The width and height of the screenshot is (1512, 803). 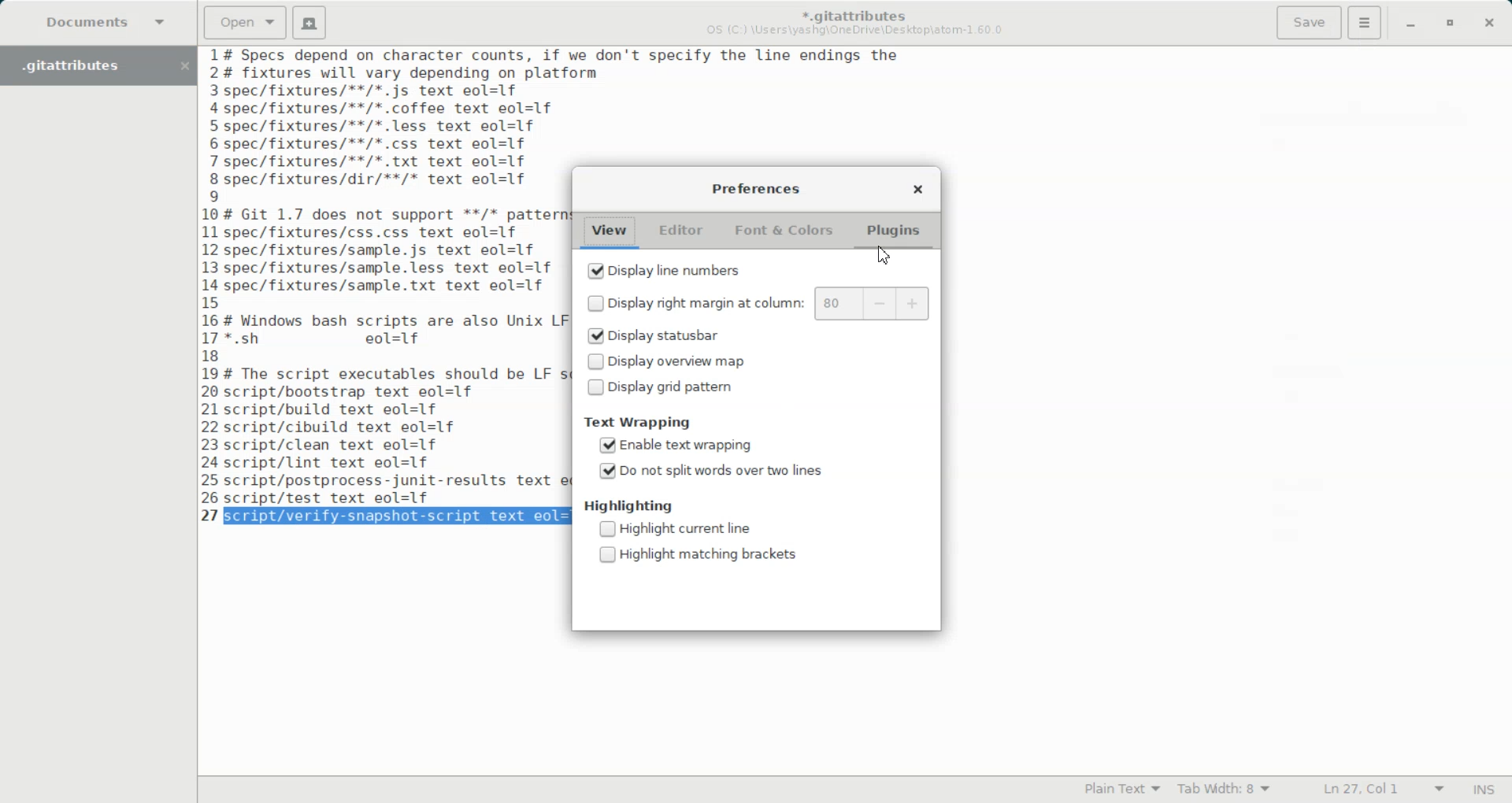 I want to click on text line number: 27, so click(x=212, y=515).